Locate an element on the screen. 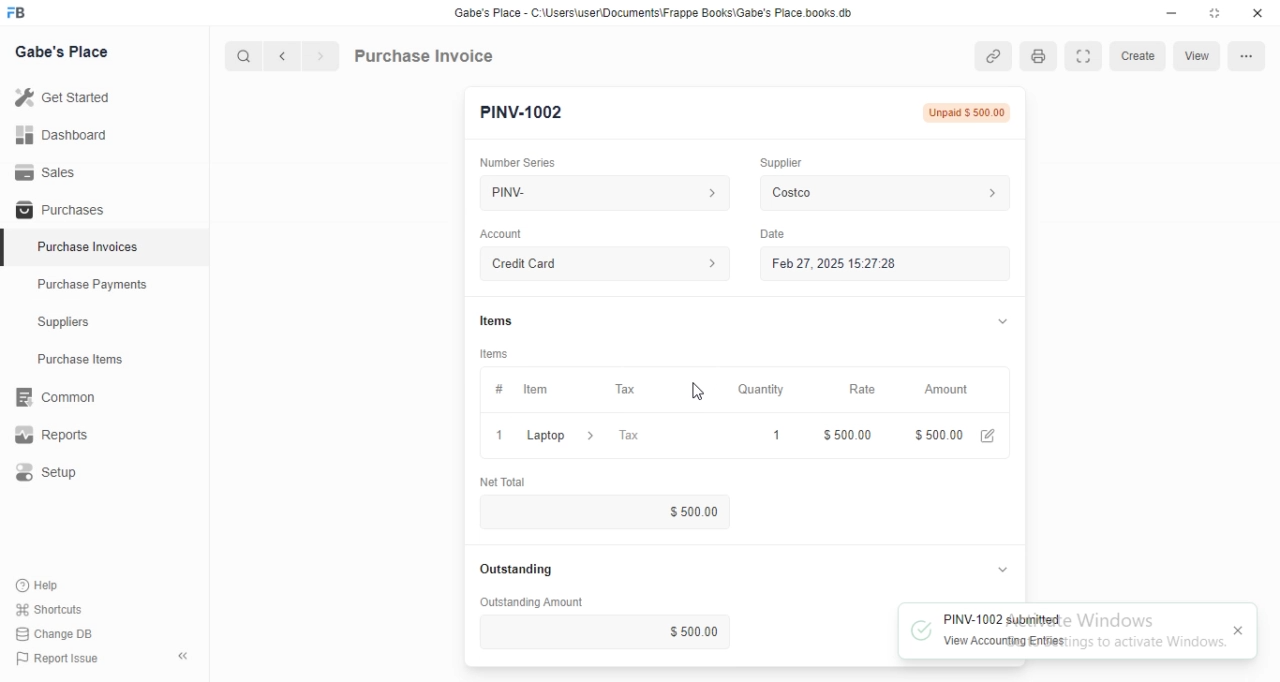 The width and height of the screenshot is (1280, 682). Collapse is located at coordinates (1003, 321).